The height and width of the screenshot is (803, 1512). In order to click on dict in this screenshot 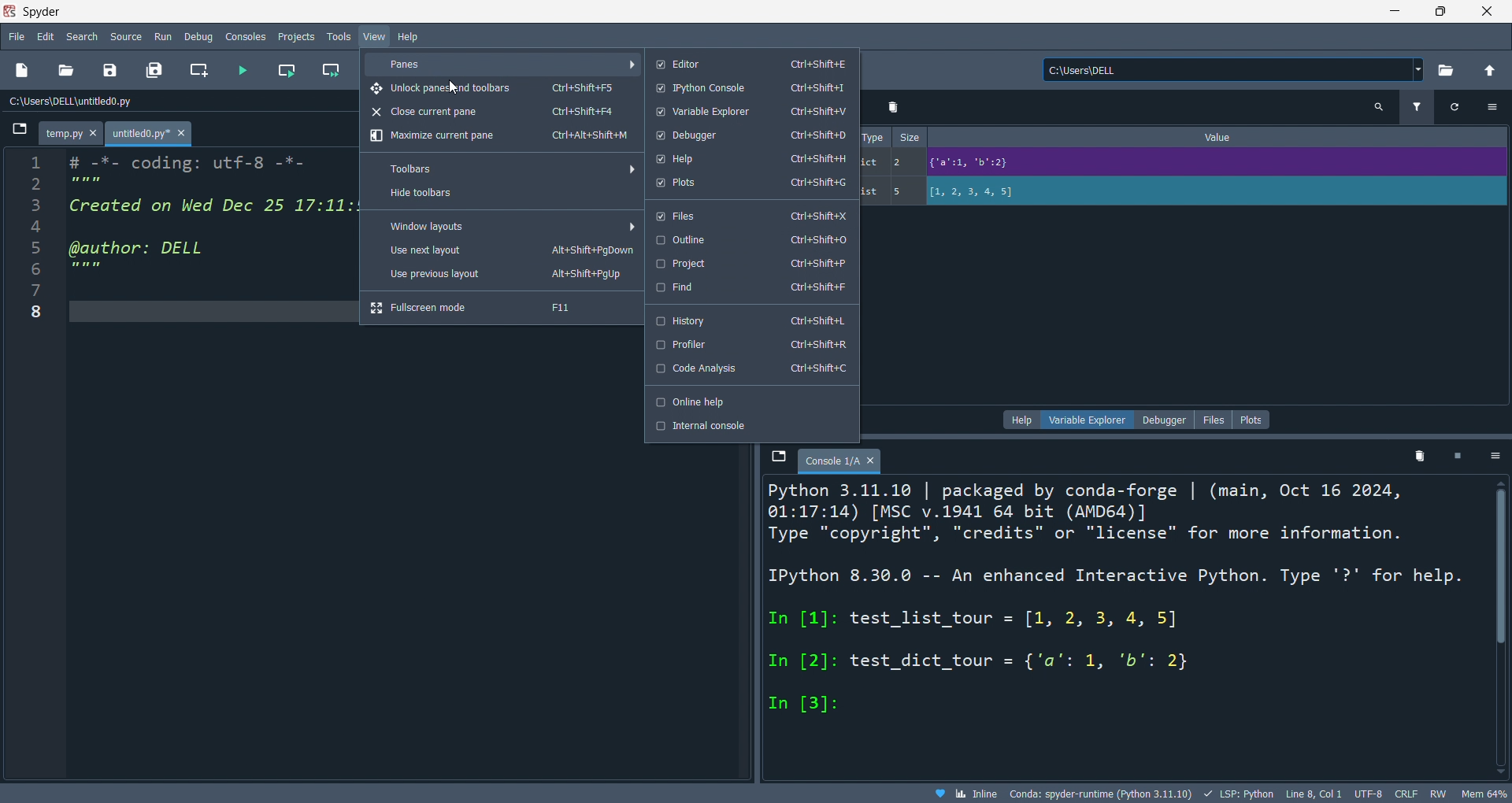, I will do `click(873, 165)`.